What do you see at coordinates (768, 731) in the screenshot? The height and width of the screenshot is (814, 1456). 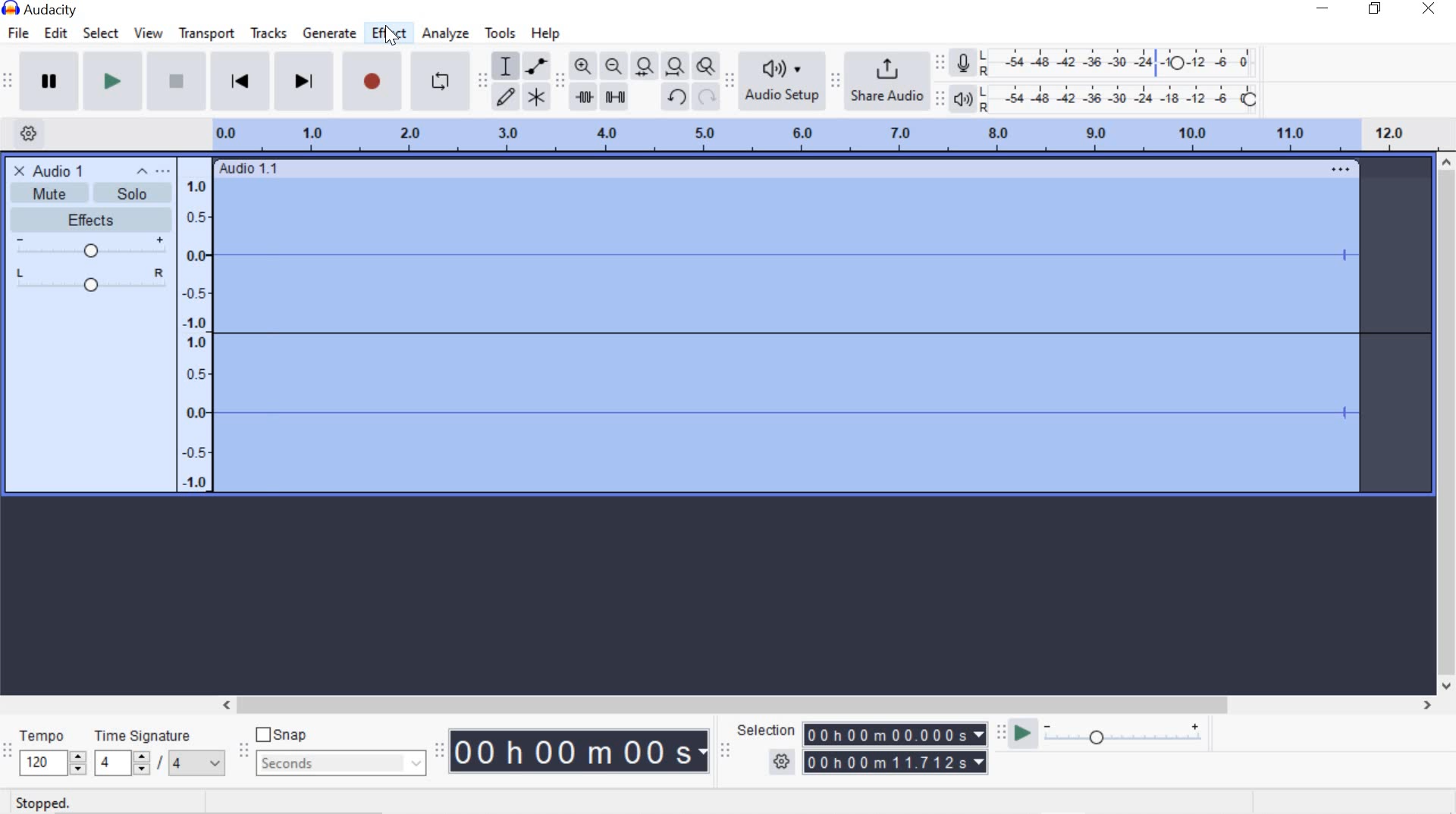 I see `SELECTION` at bounding box center [768, 731].